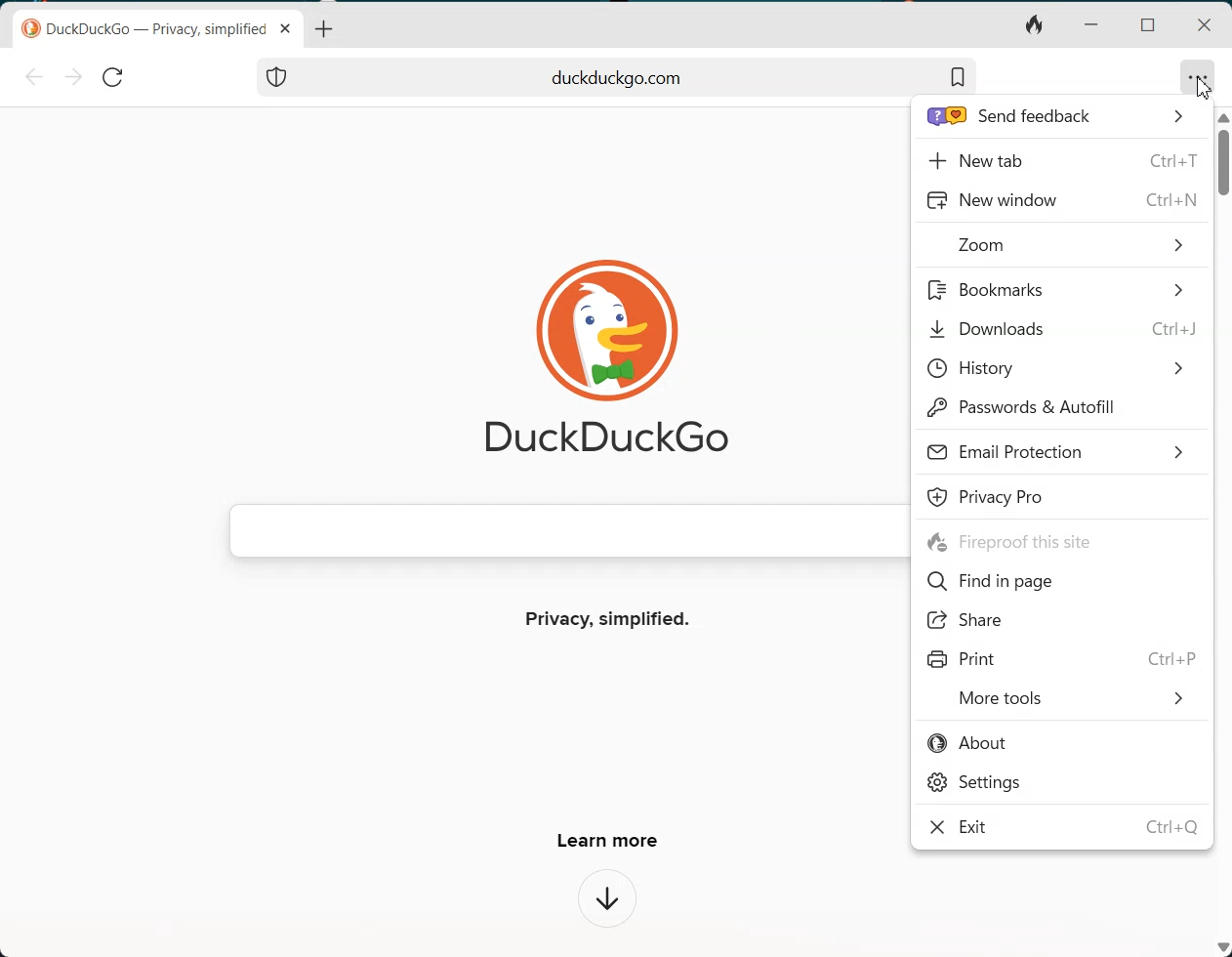 The image size is (1232, 957). What do you see at coordinates (1205, 26) in the screenshot?
I see `Close` at bounding box center [1205, 26].